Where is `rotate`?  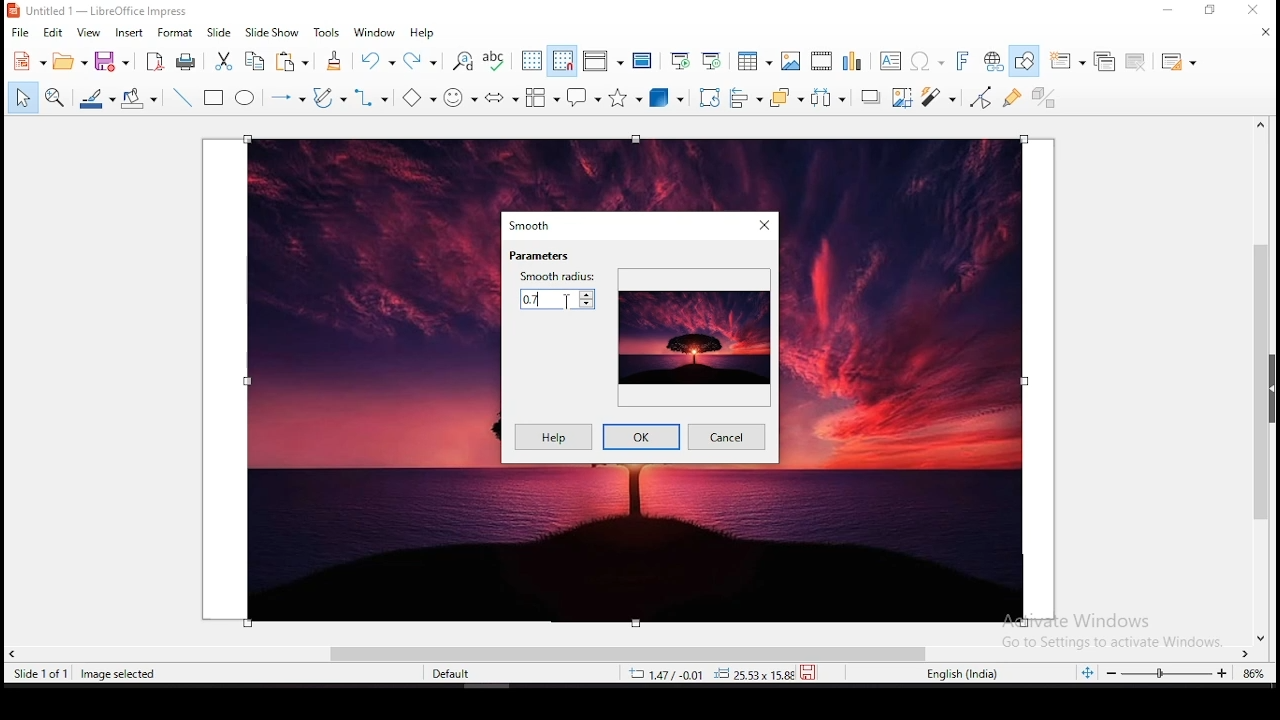 rotate is located at coordinates (707, 99).